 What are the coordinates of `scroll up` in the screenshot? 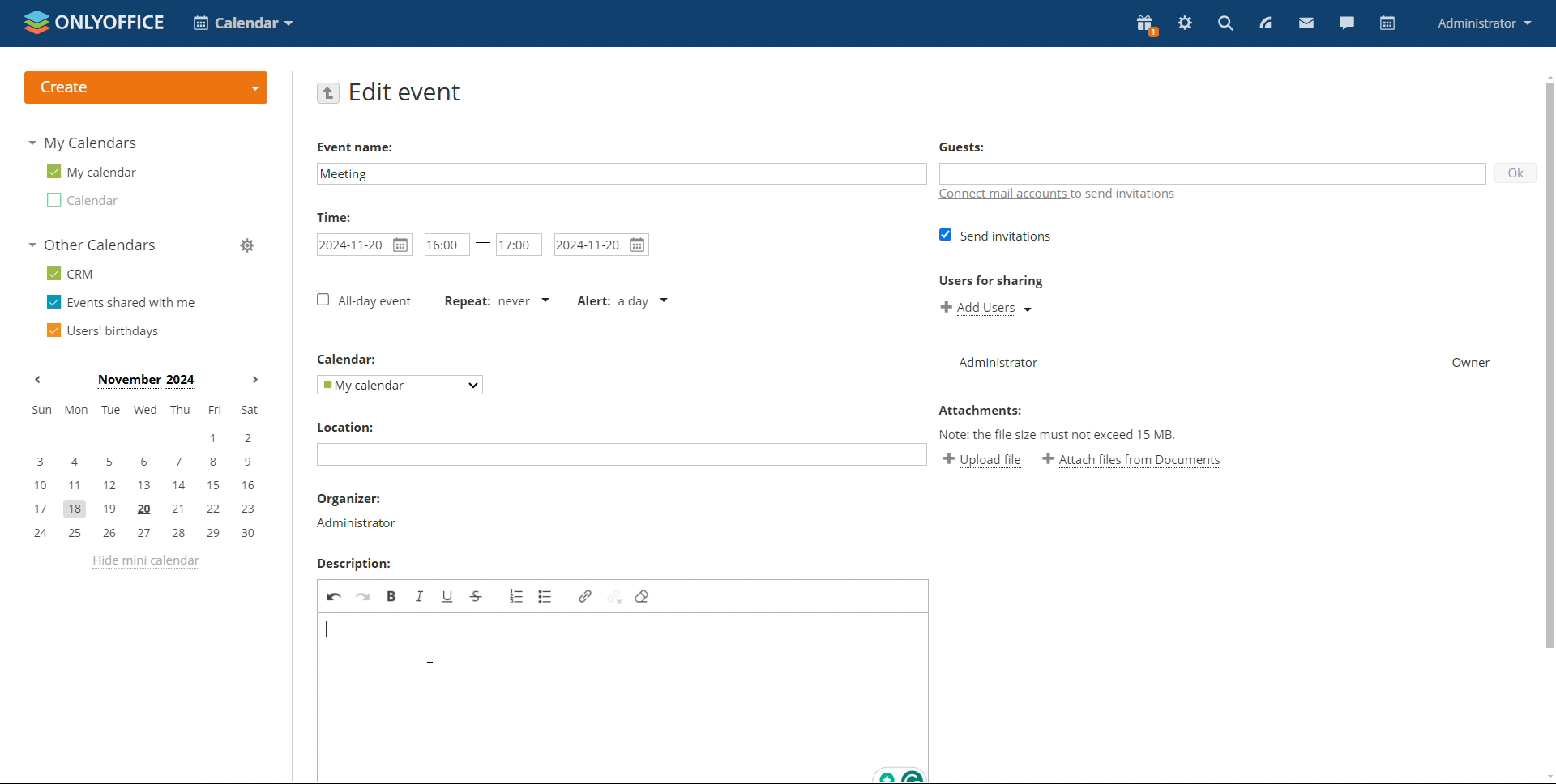 It's located at (1546, 75).